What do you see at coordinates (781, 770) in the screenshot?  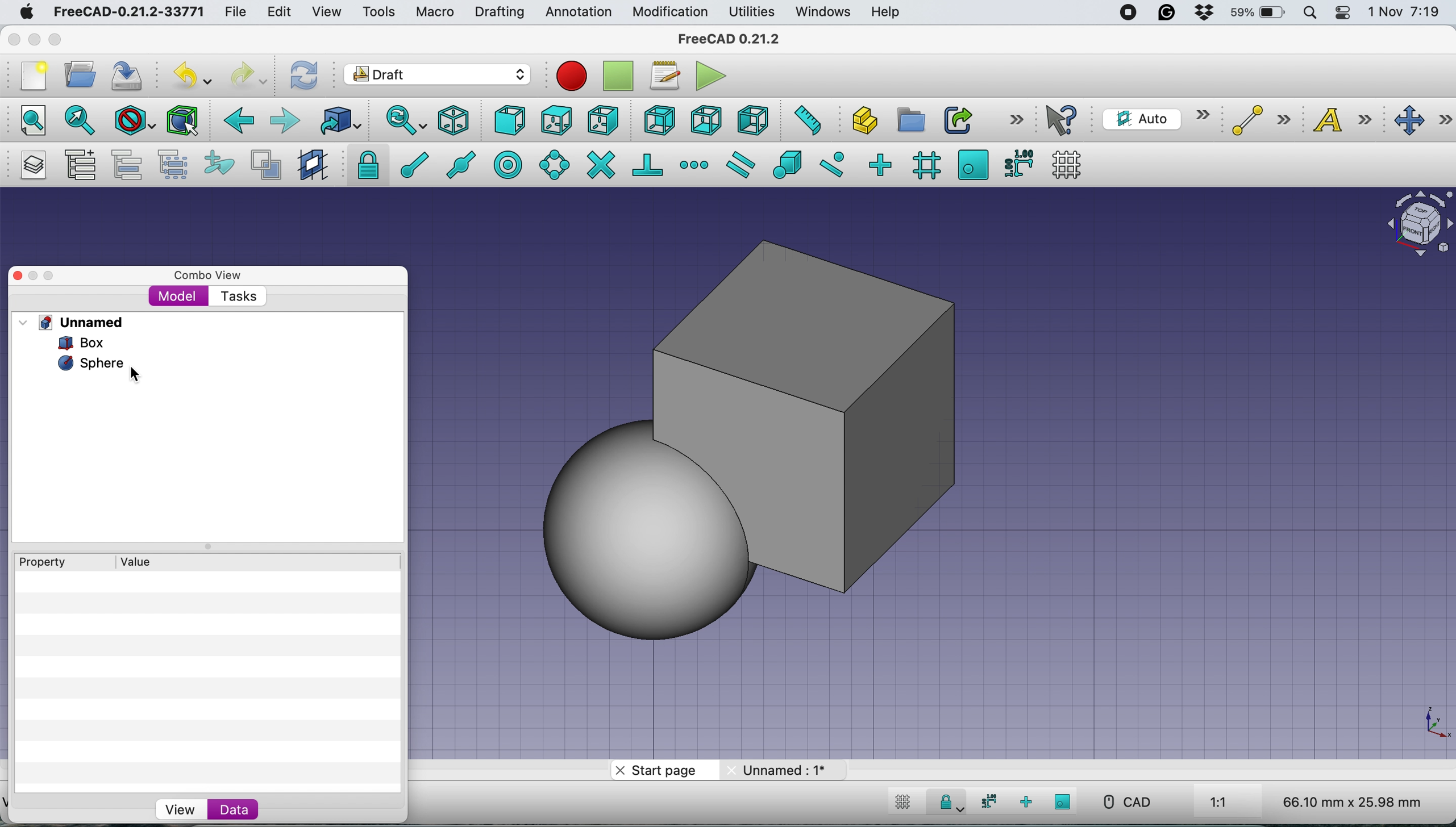 I see `unnamed` at bounding box center [781, 770].